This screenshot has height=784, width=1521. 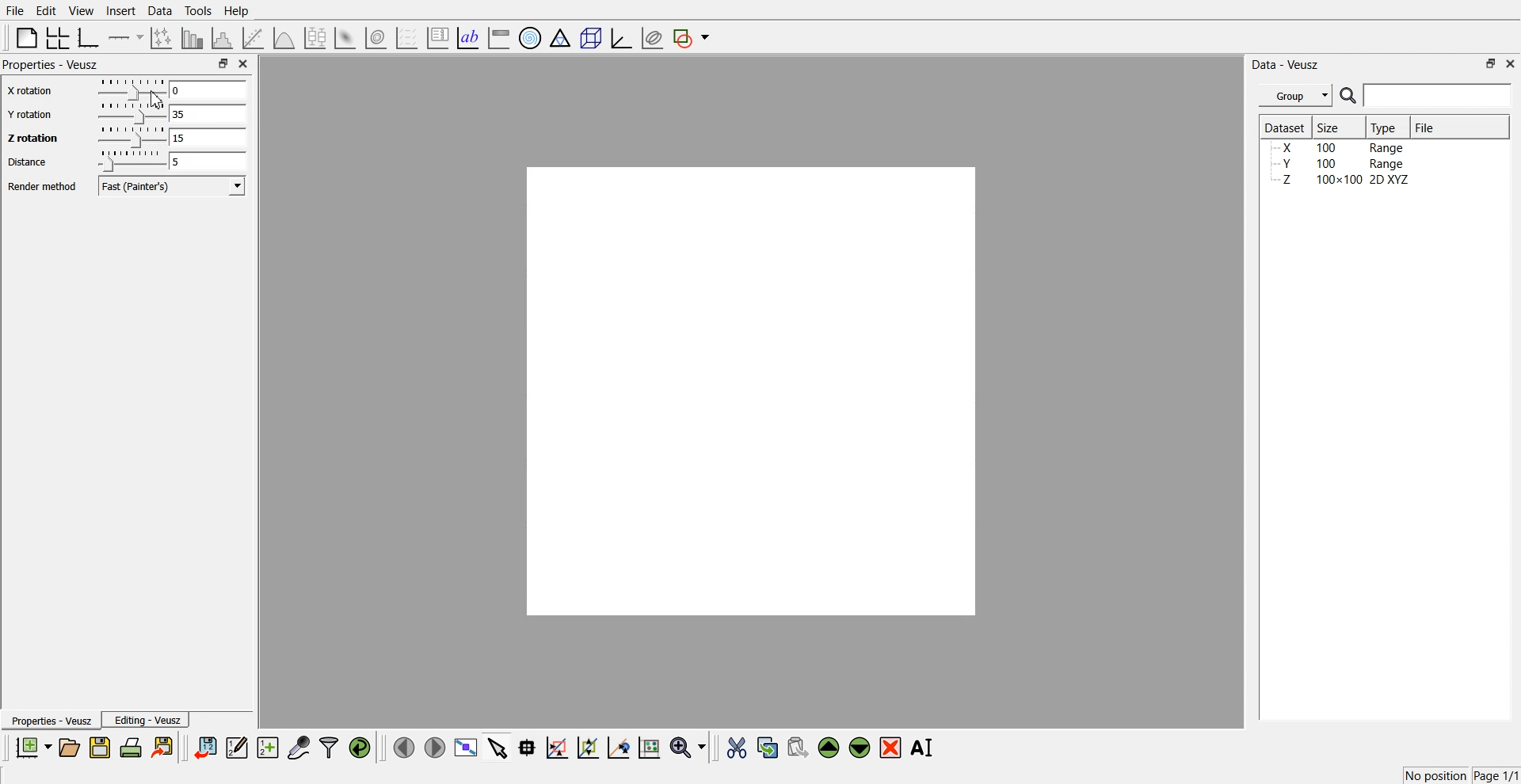 What do you see at coordinates (220, 39) in the screenshot?
I see `Histogram of dataset` at bounding box center [220, 39].